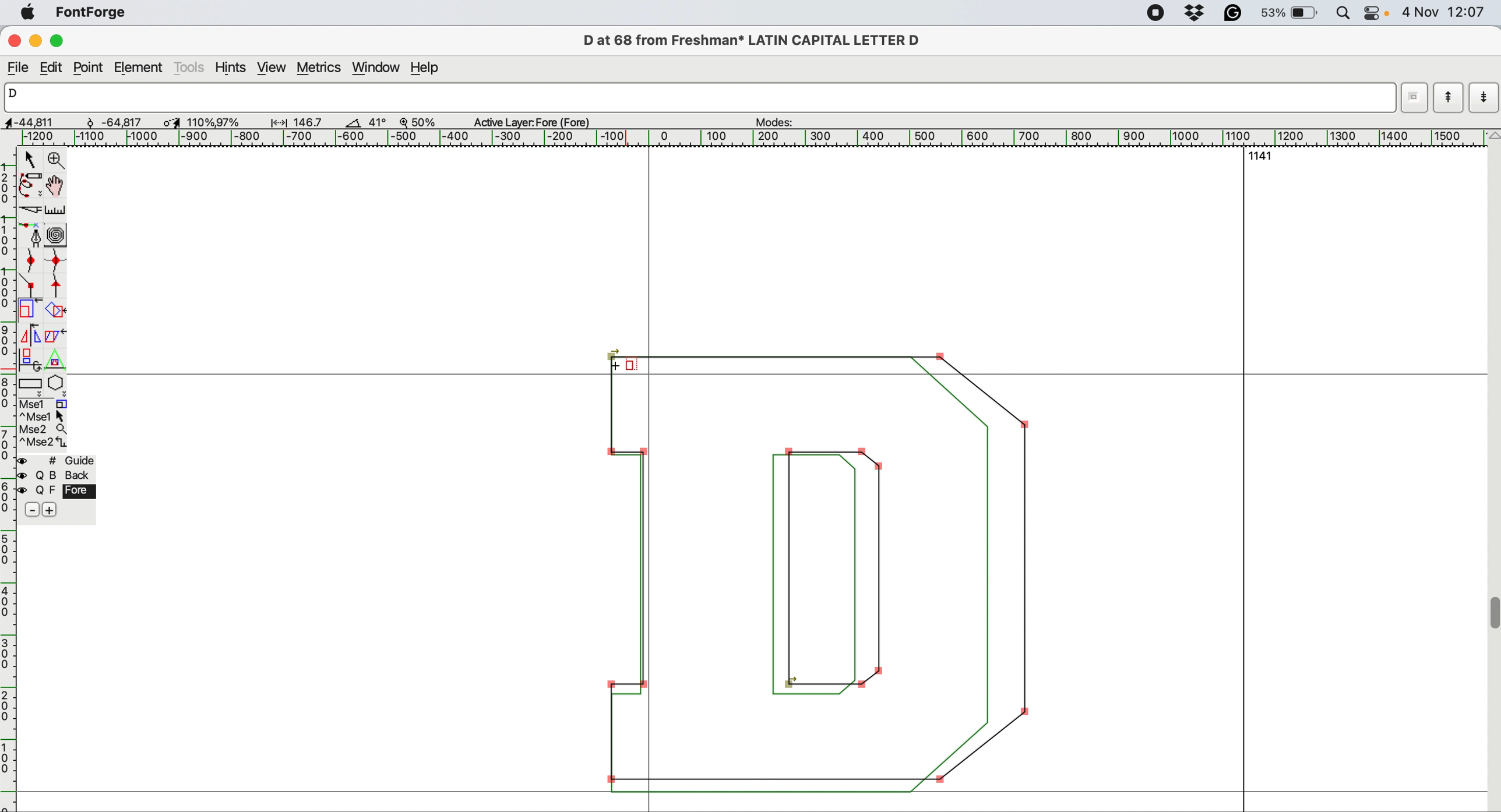 The height and width of the screenshot is (812, 1501). I want to click on grammarly, so click(1239, 13).